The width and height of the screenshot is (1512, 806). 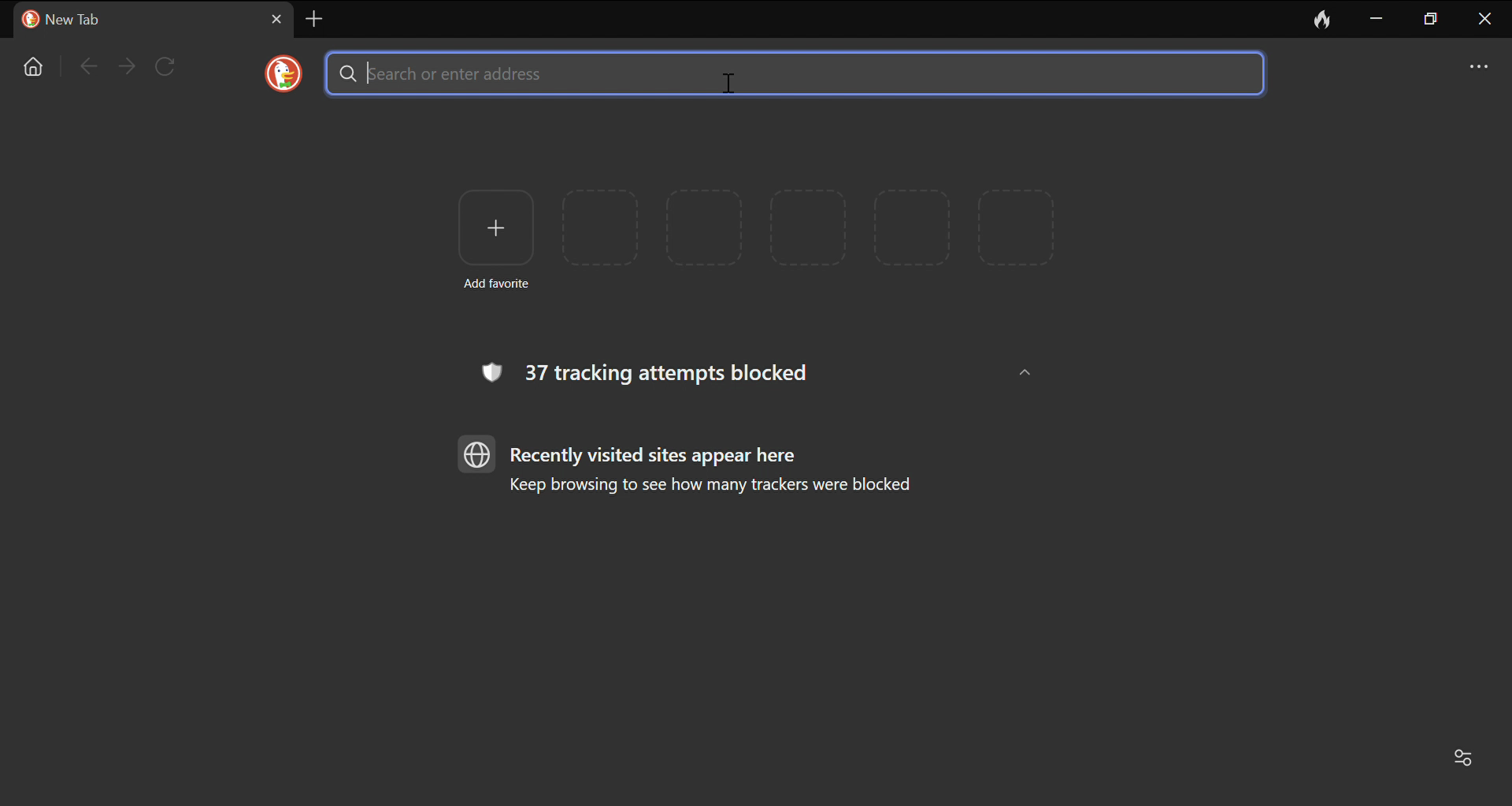 What do you see at coordinates (793, 73) in the screenshot?
I see `Search or enter address` at bounding box center [793, 73].